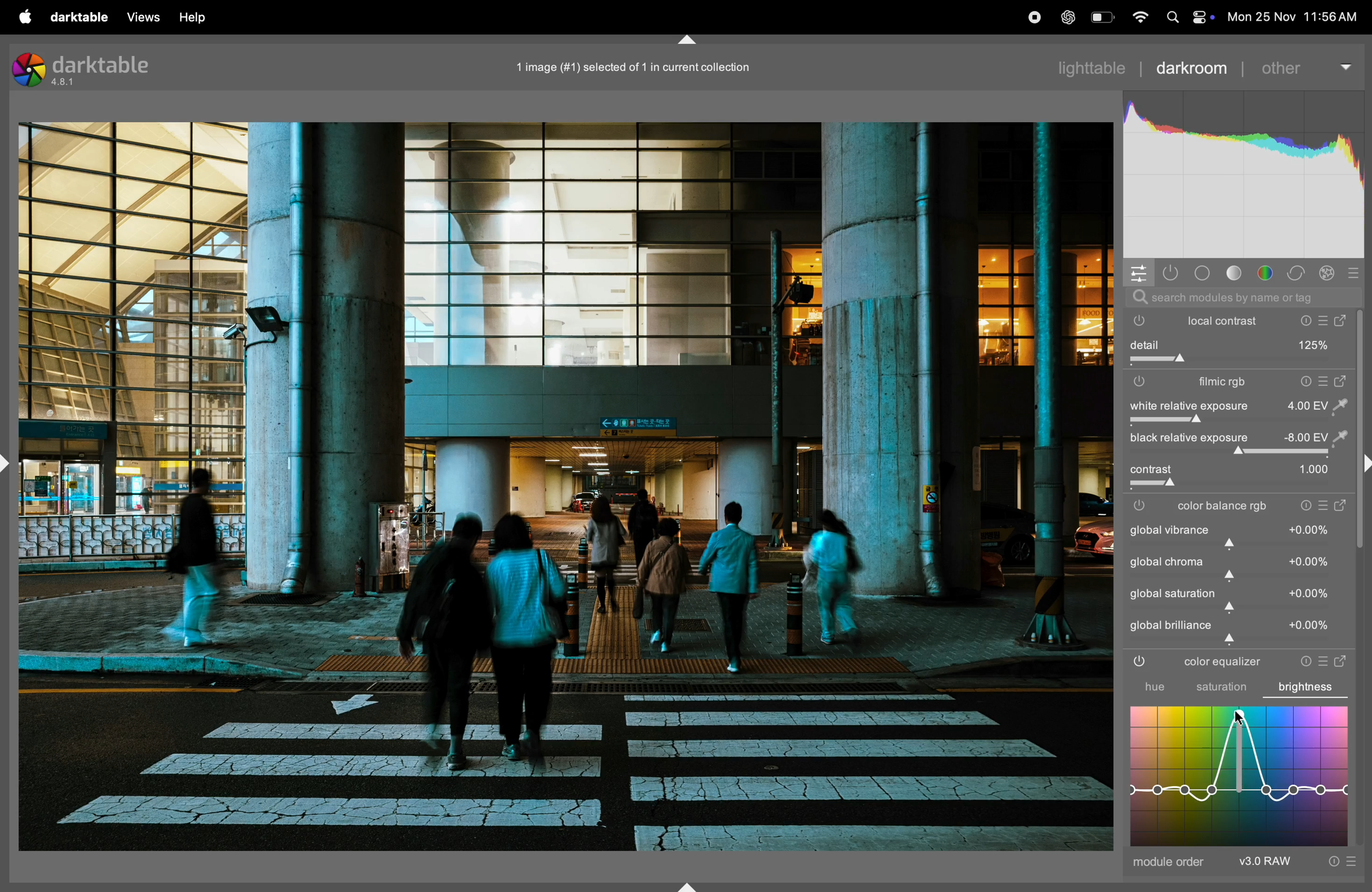  I want to click on value, so click(1310, 626).